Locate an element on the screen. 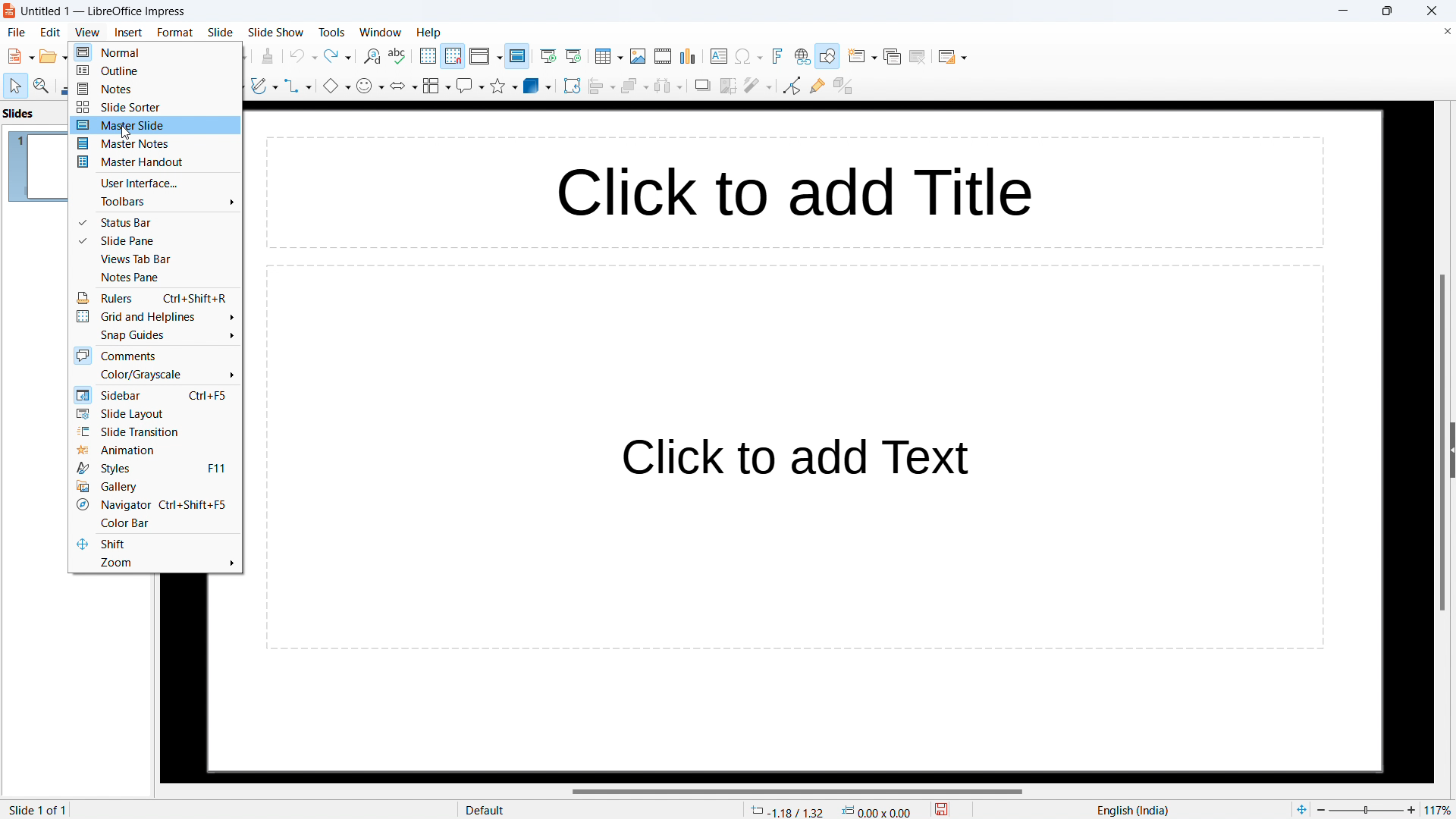 This screenshot has width=1456, height=819. shadow is located at coordinates (703, 85).